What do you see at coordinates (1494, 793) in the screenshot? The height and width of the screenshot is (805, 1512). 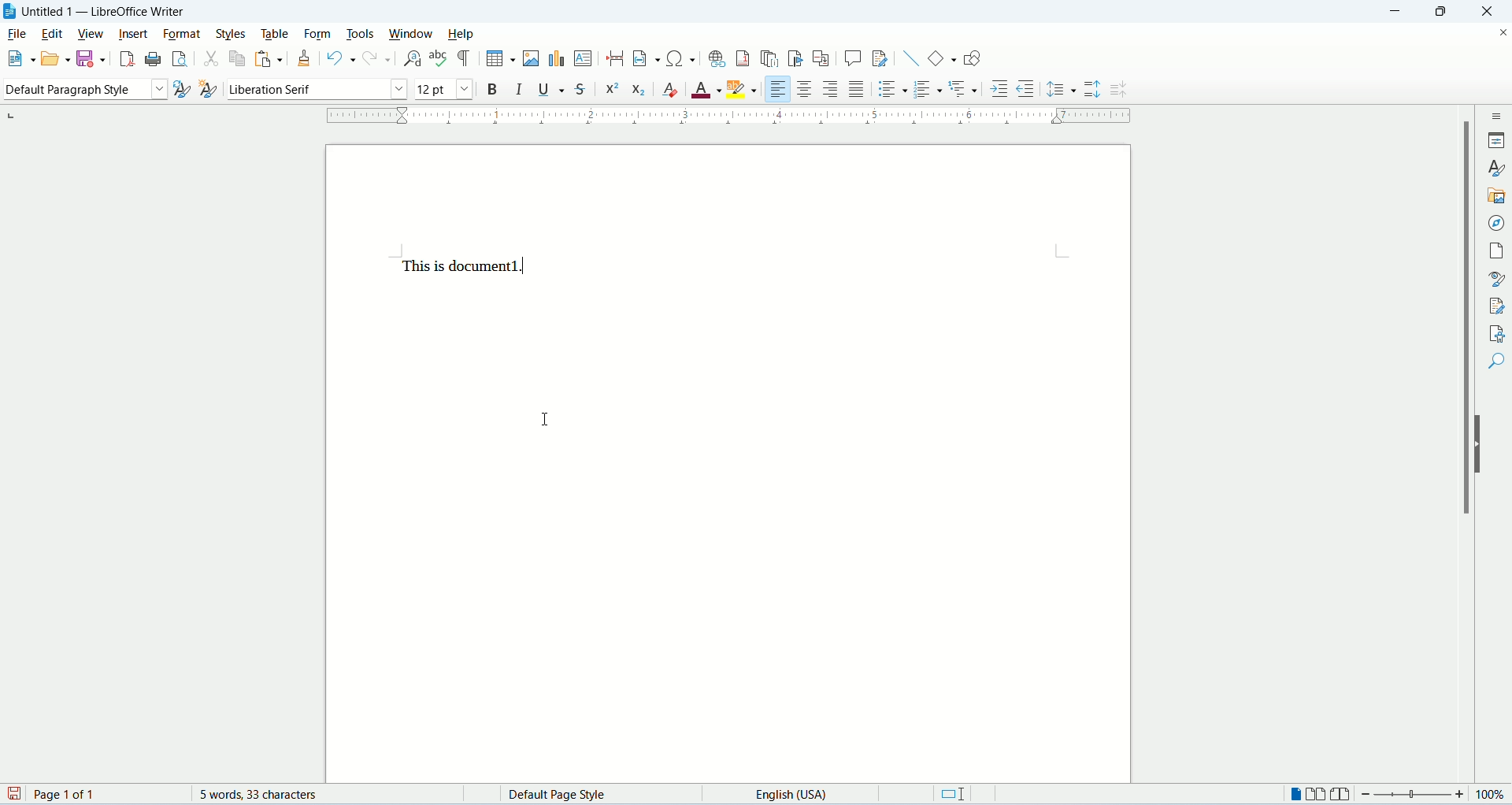 I see `zoom percent` at bounding box center [1494, 793].